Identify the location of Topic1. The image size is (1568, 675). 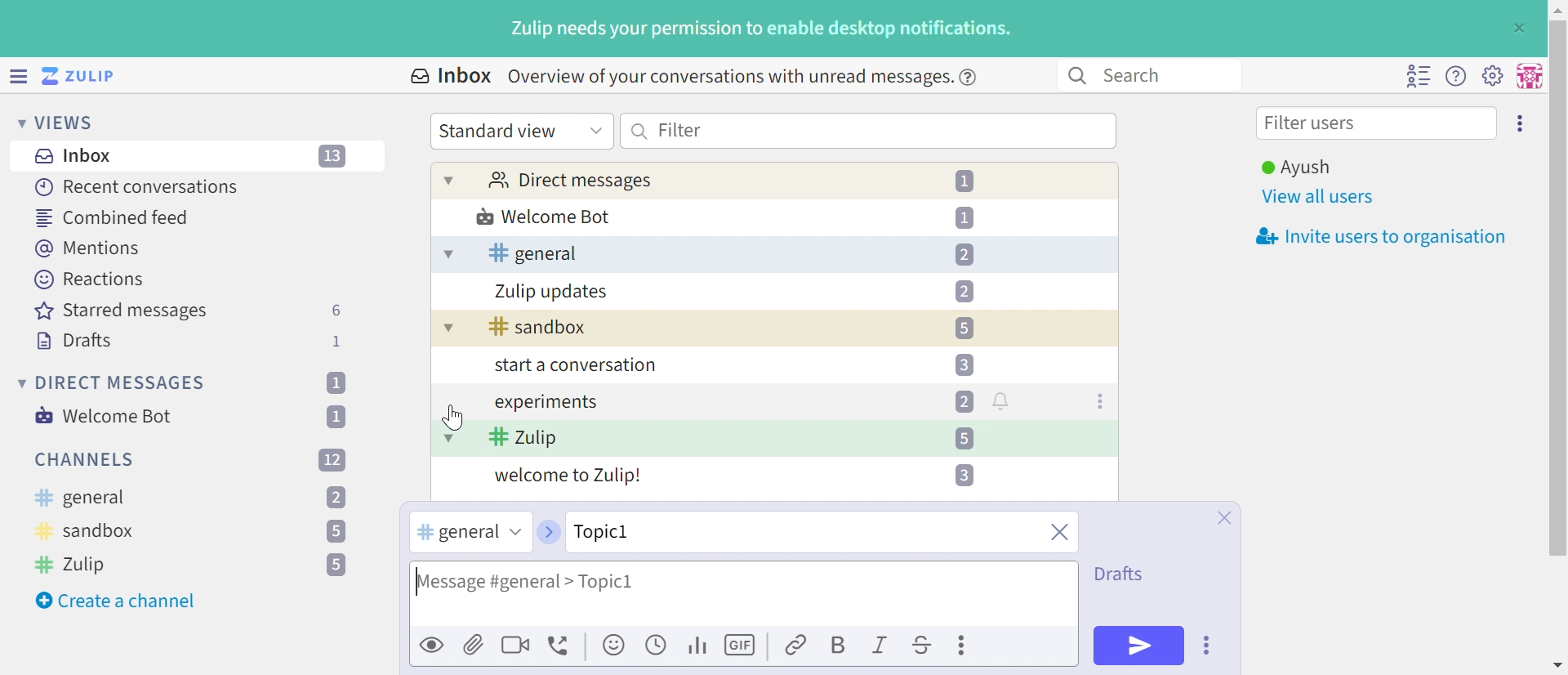
(648, 530).